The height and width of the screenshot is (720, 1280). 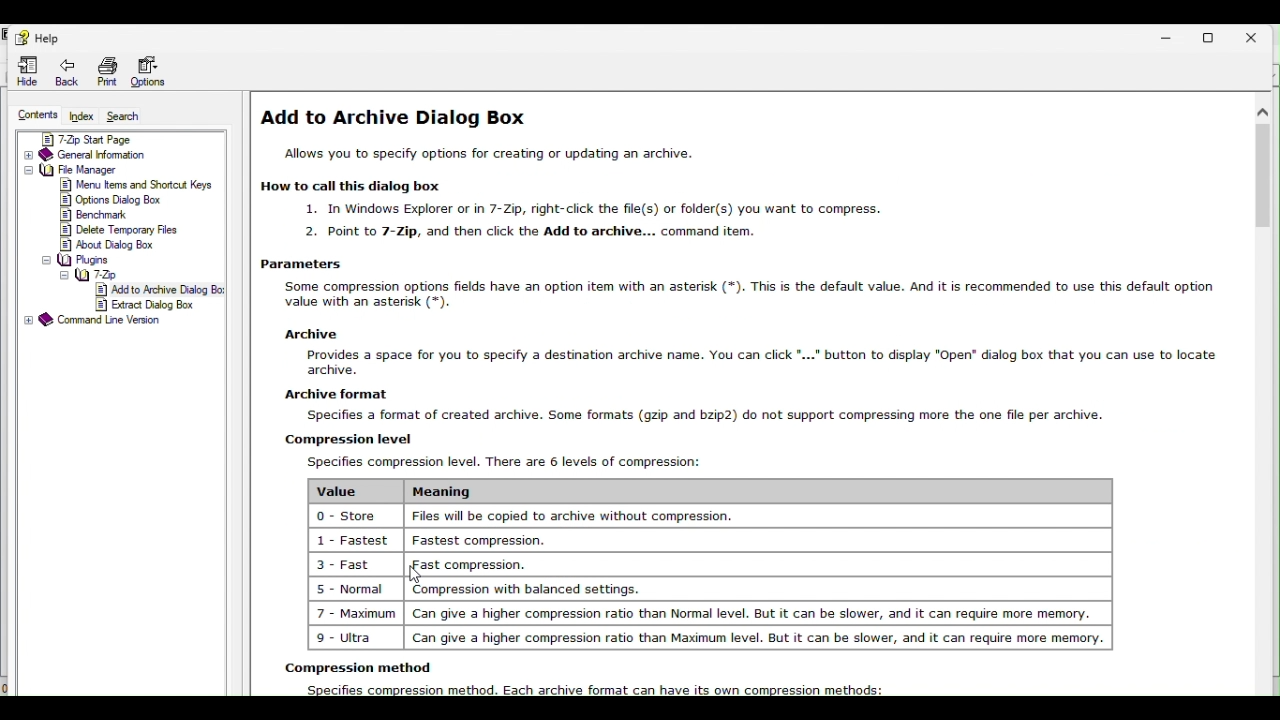 I want to click on add archive dialog box, so click(x=160, y=290).